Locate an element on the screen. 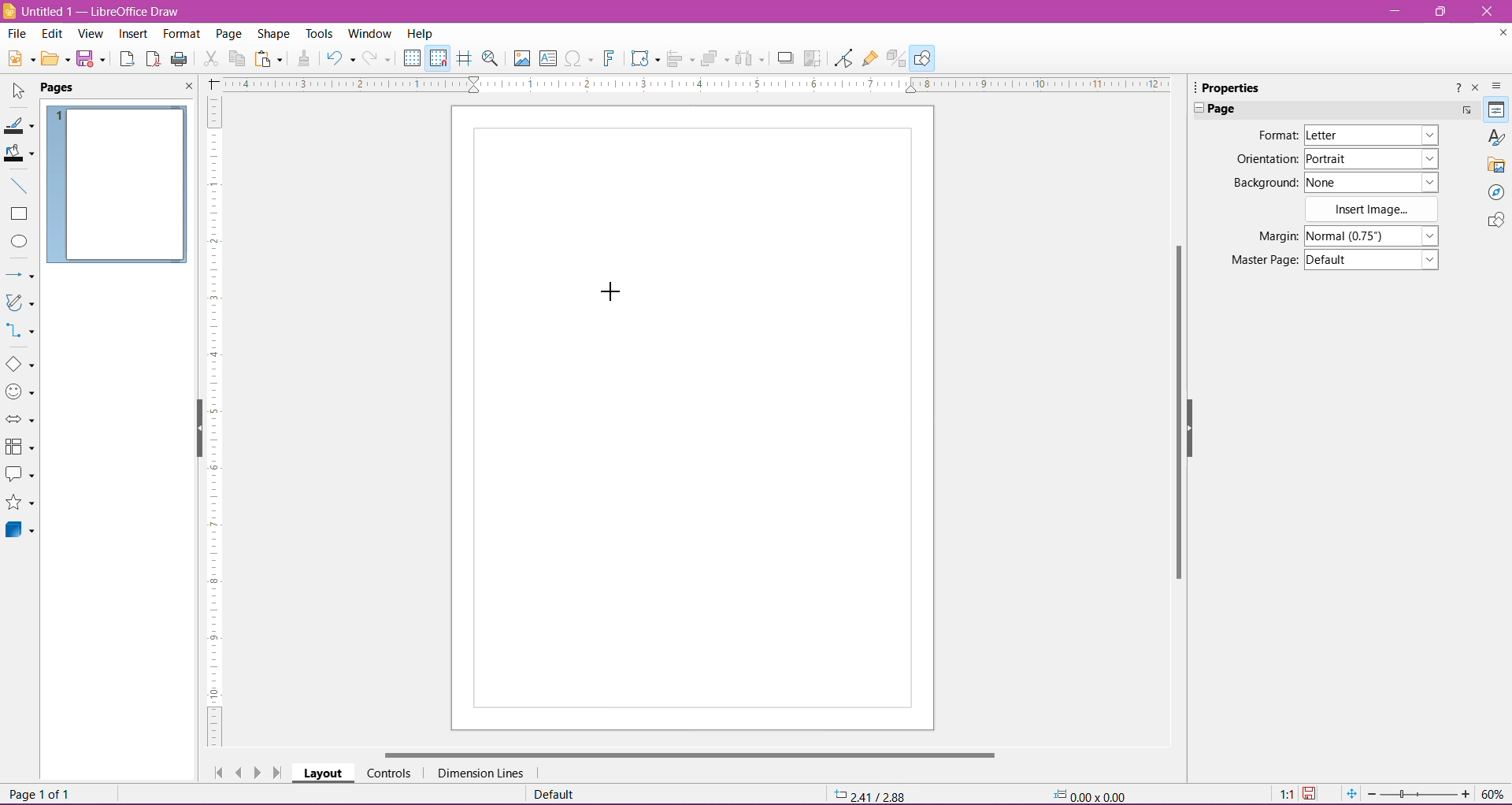 The height and width of the screenshot is (805, 1512). Insert Fontwork Text is located at coordinates (610, 58).